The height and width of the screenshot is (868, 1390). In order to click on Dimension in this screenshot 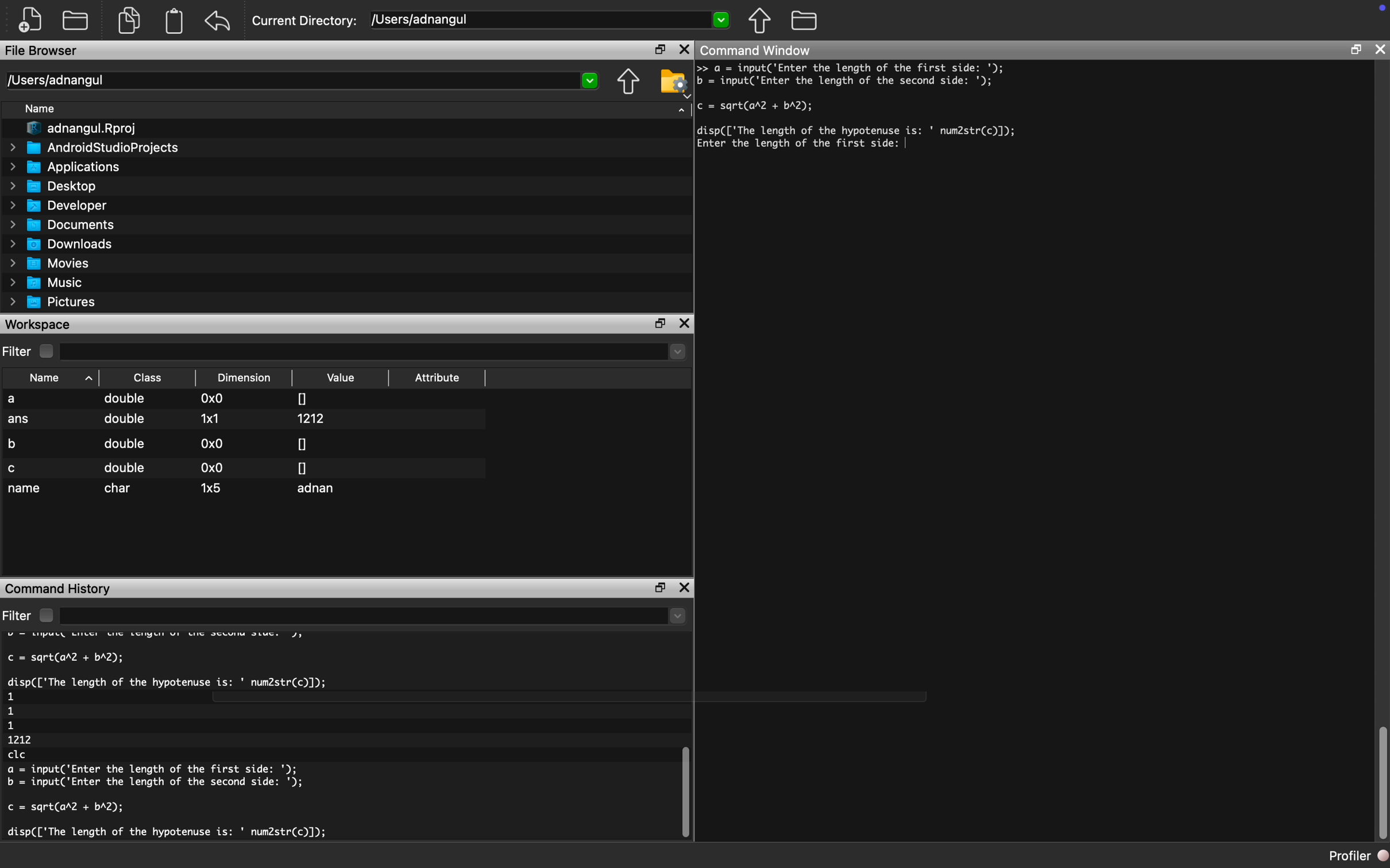, I will do `click(248, 378)`.